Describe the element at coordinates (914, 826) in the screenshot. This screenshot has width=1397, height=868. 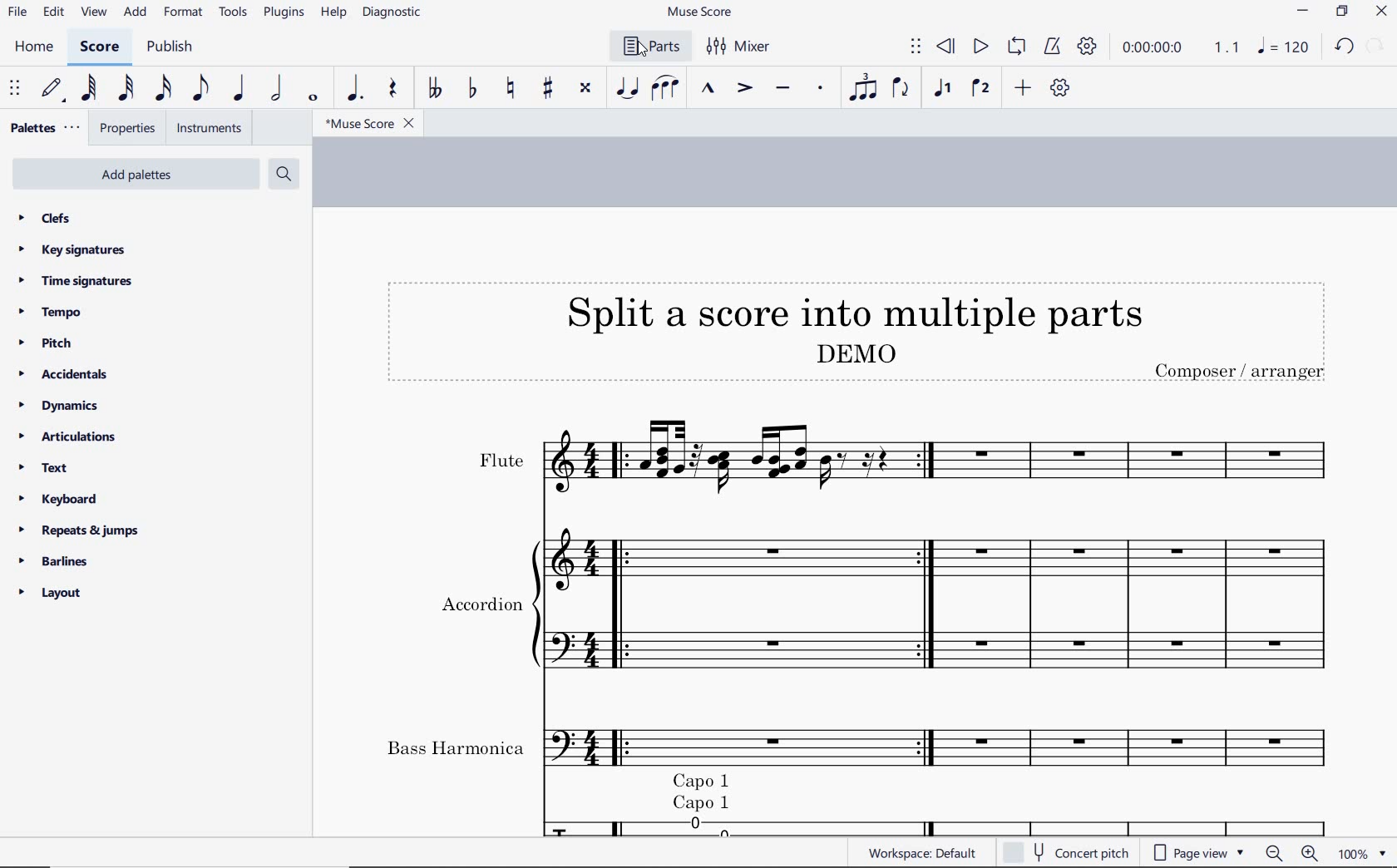
I see `Electric guitar` at that location.